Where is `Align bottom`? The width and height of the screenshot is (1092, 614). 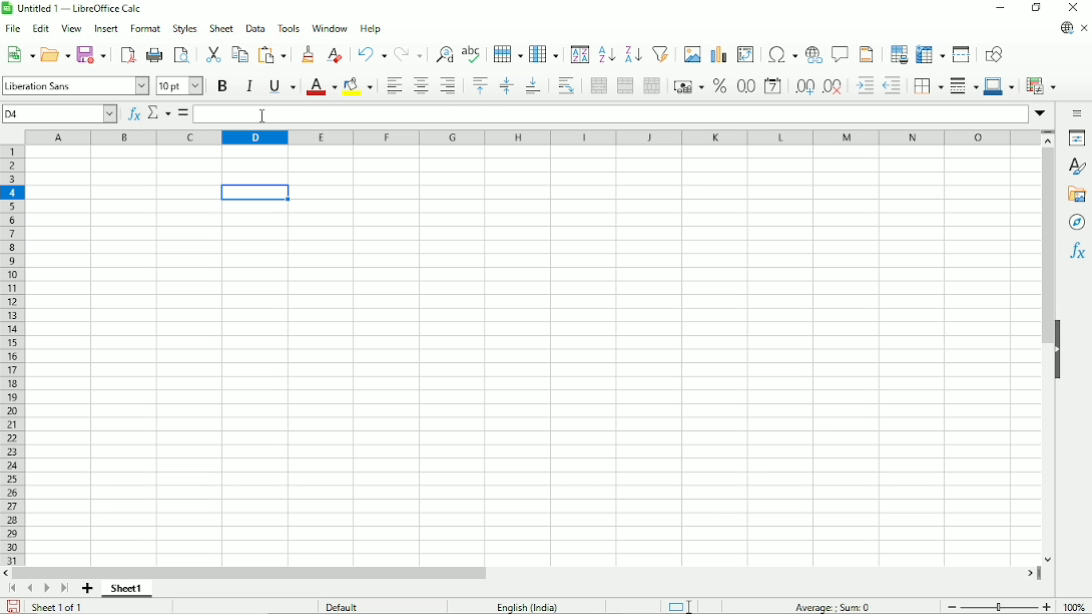 Align bottom is located at coordinates (534, 86).